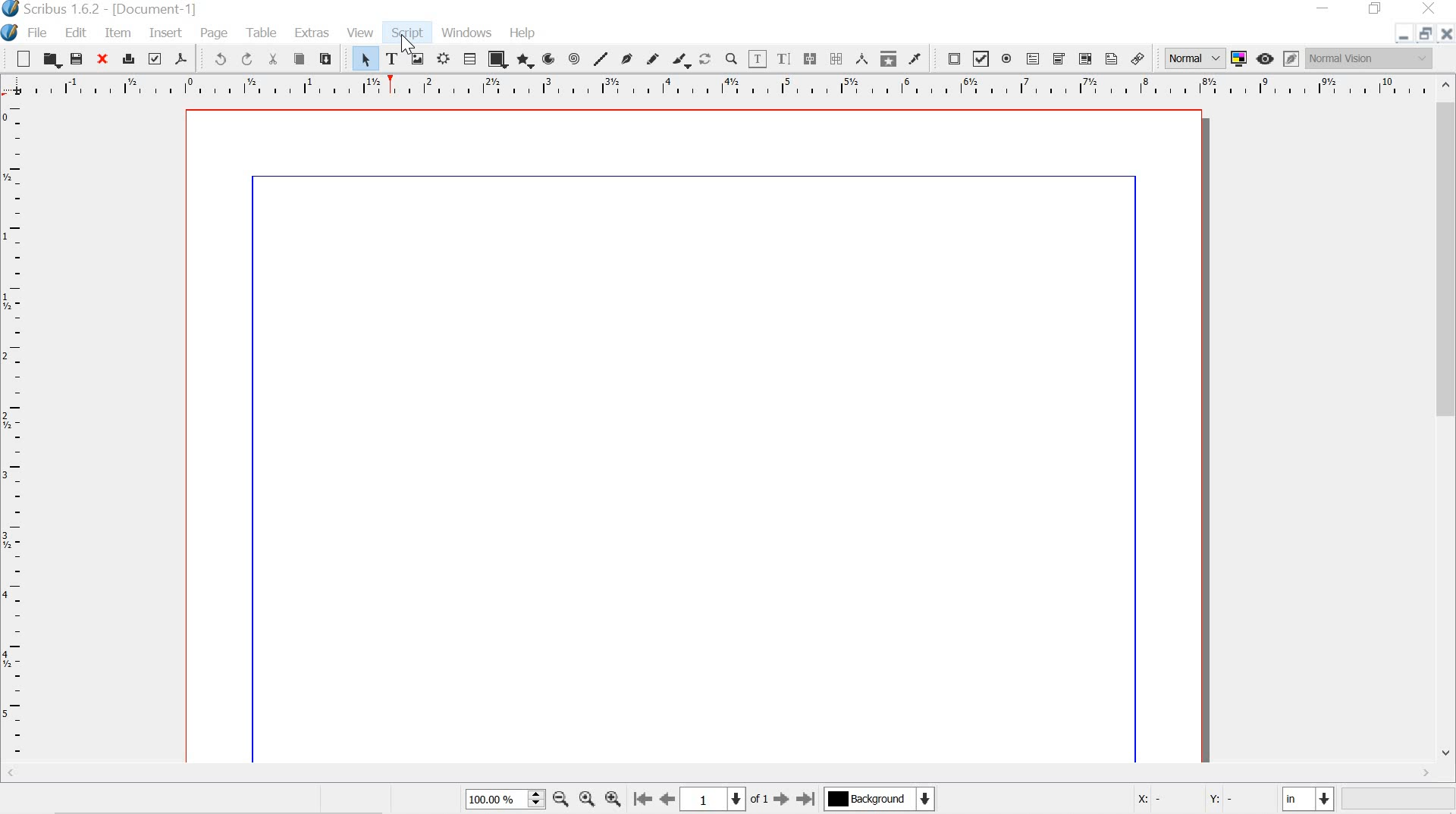 This screenshot has width=1456, height=814. I want to click on scribus logo, so click(11, 10).